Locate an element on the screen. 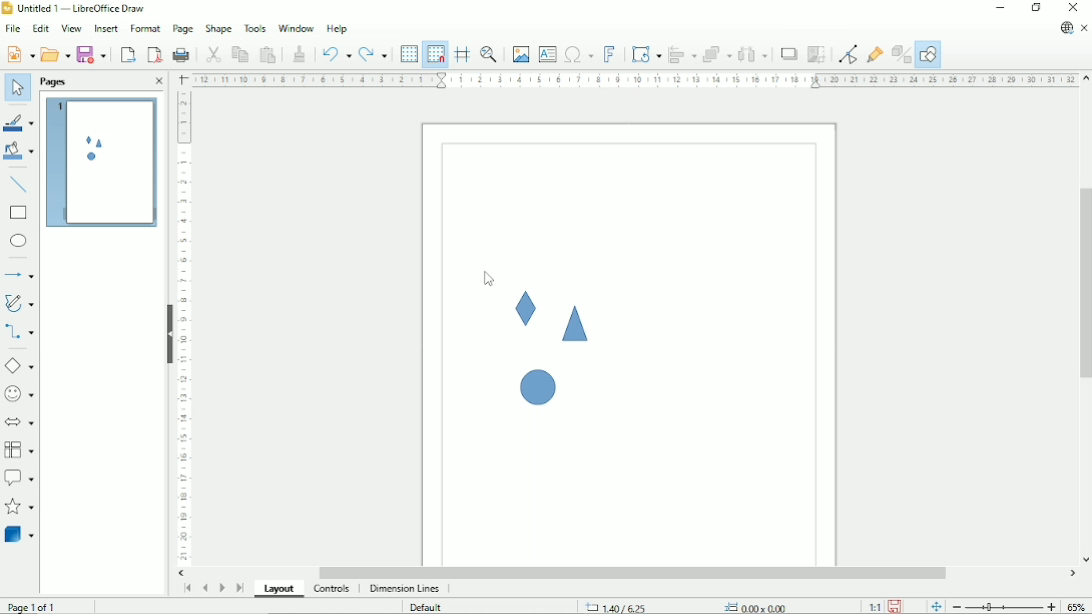  Tools is located at coordinates (255, 28).